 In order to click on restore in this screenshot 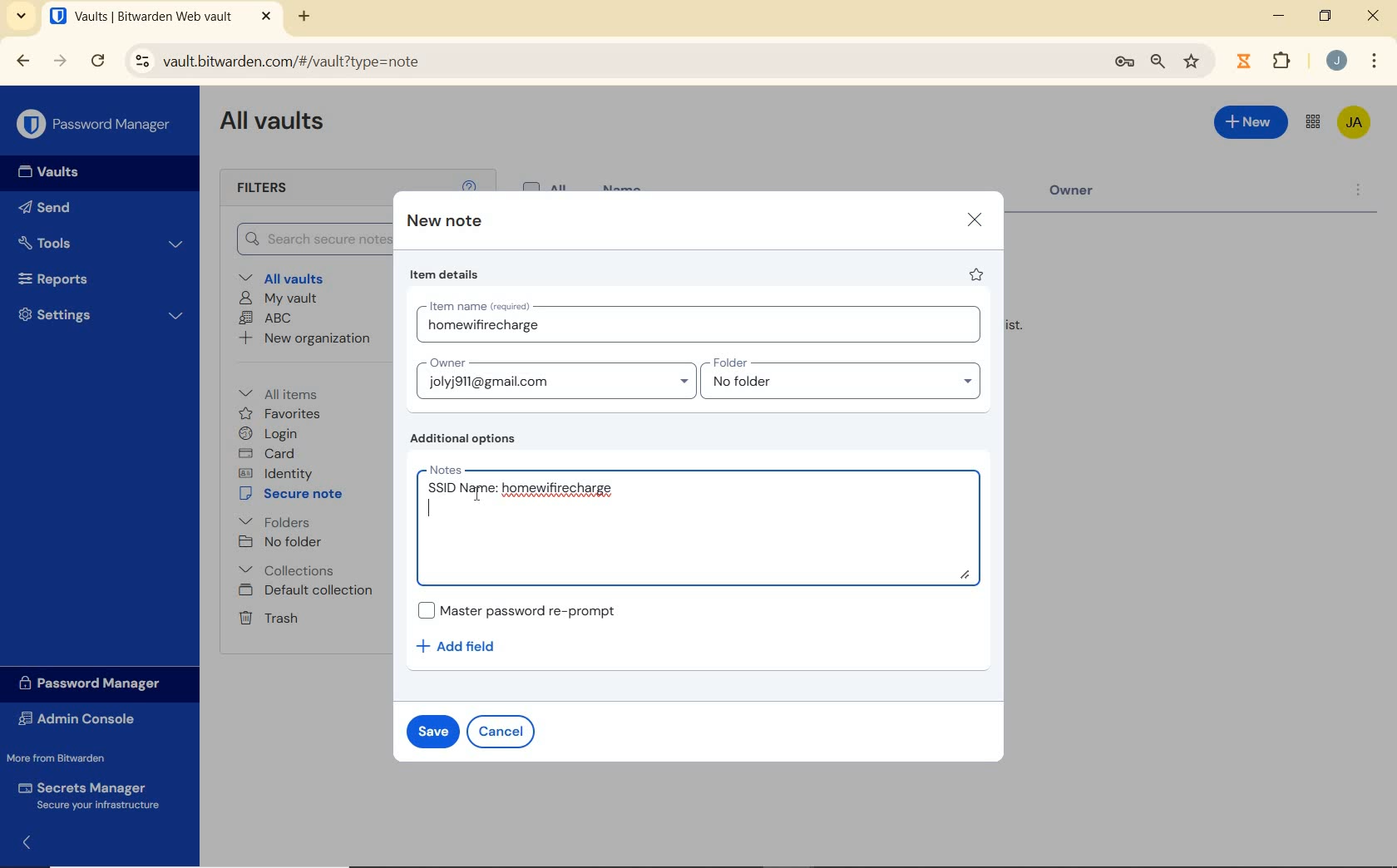, I will do `click(1325, 16)`.